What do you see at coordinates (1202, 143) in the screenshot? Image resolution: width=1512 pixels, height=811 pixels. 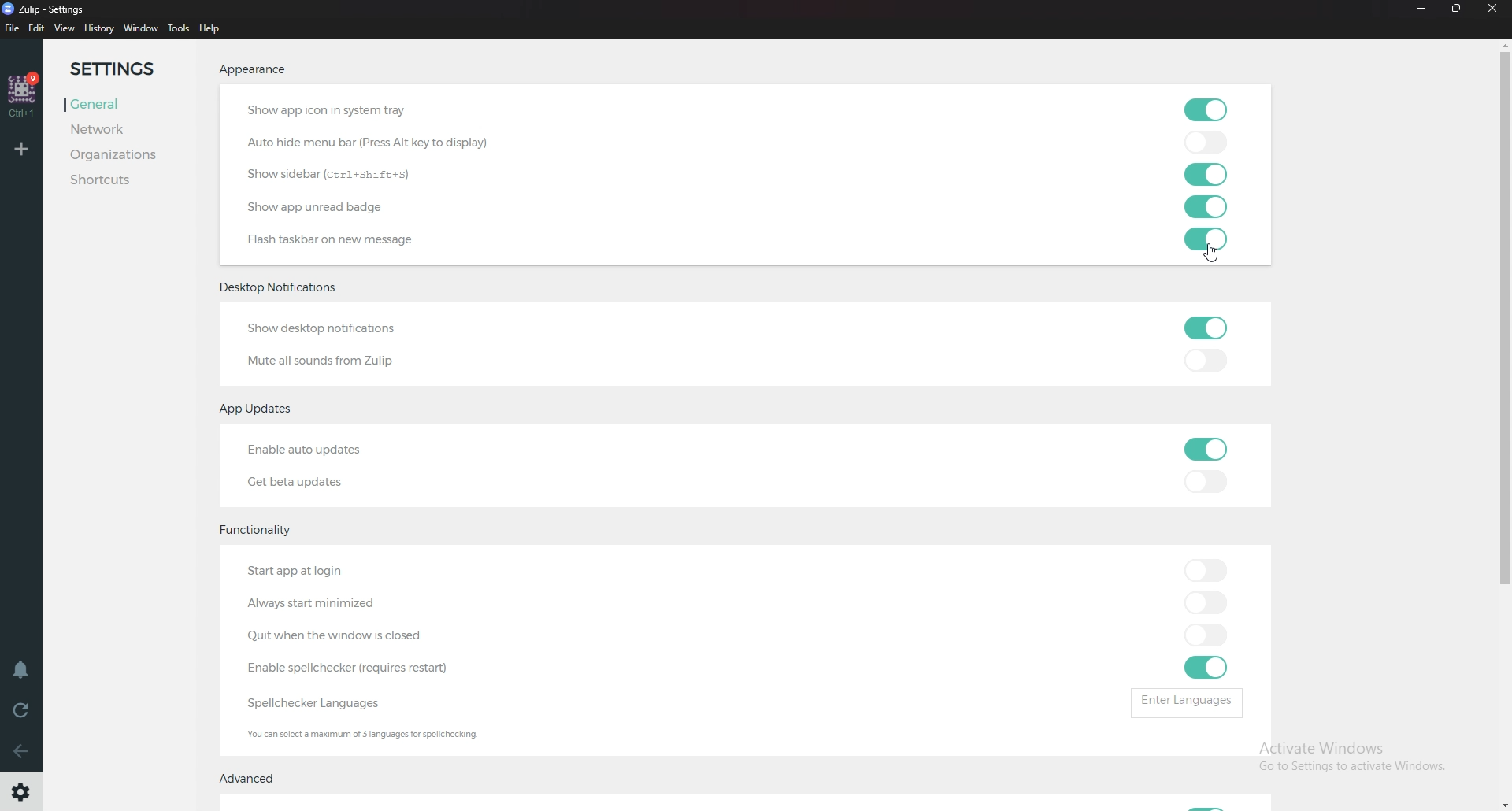 I see `toggle` at bounding box center [1202, 143].